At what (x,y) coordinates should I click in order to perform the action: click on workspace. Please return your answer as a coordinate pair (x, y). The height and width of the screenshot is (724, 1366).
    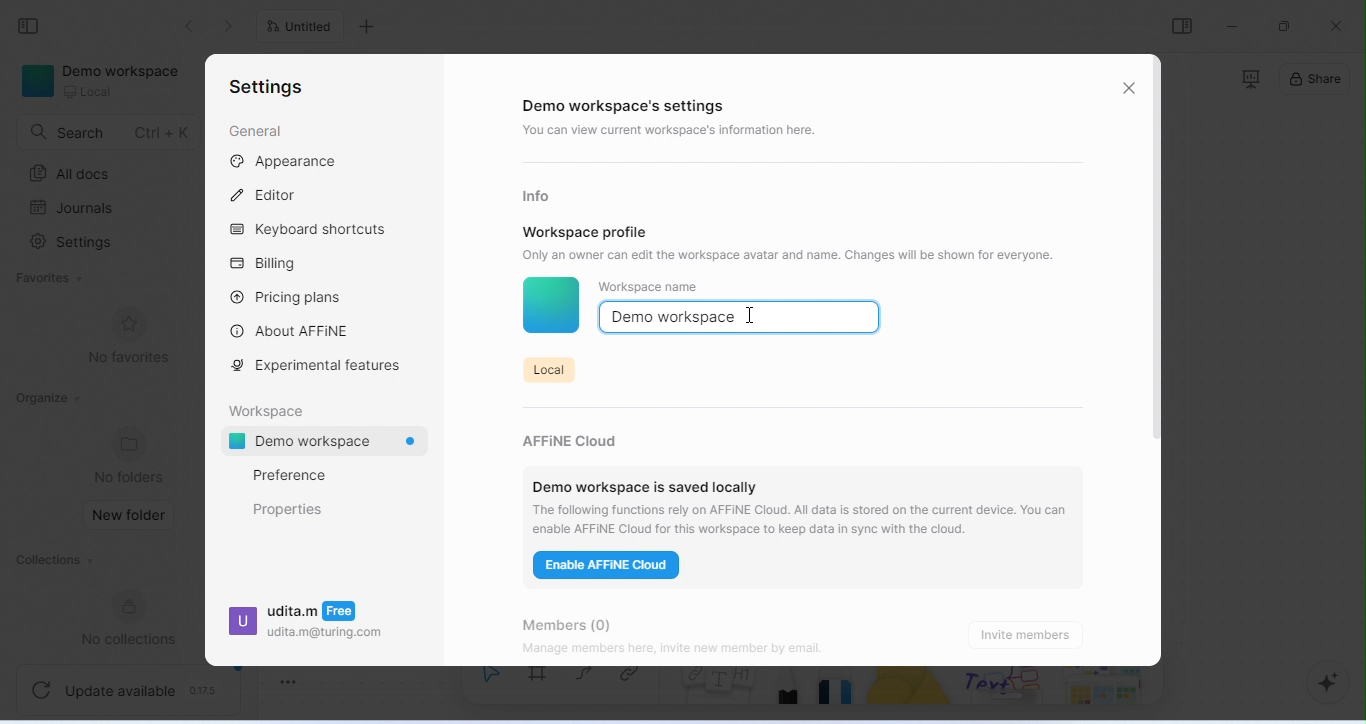
    Looking at the image, I should click on (271, 409).